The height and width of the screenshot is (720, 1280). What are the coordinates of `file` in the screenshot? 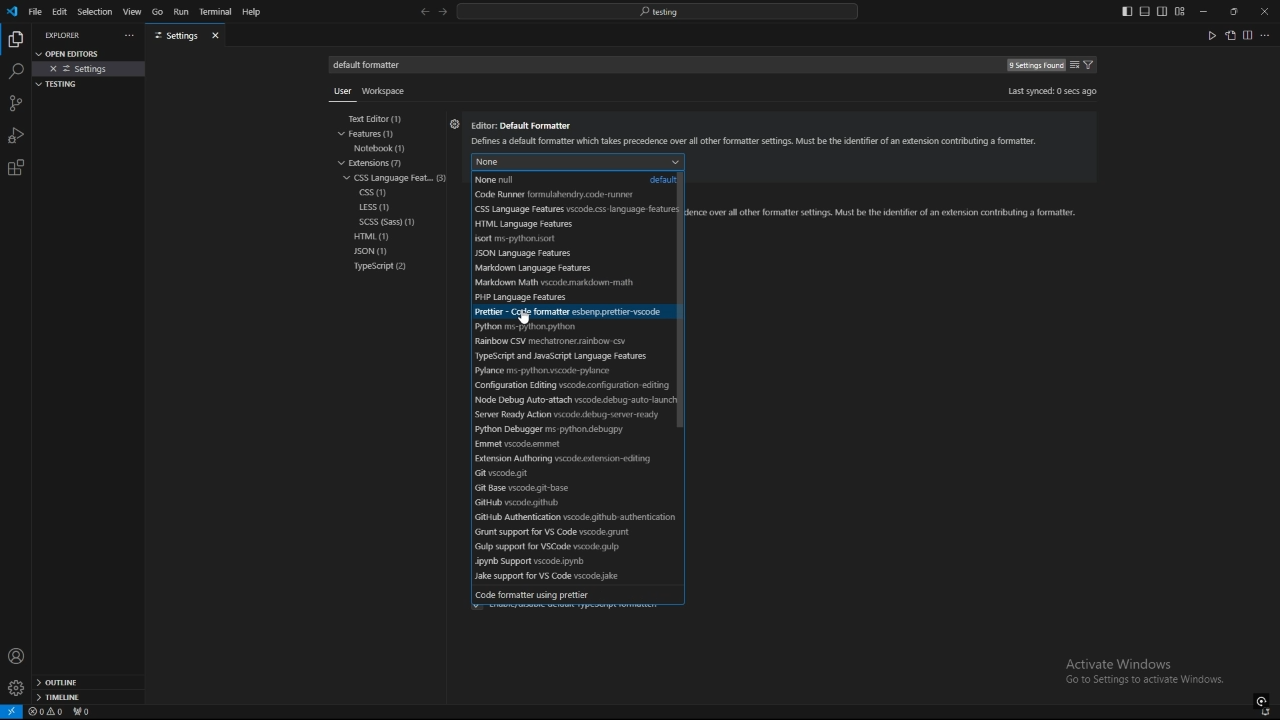 It's located at (35, 11).